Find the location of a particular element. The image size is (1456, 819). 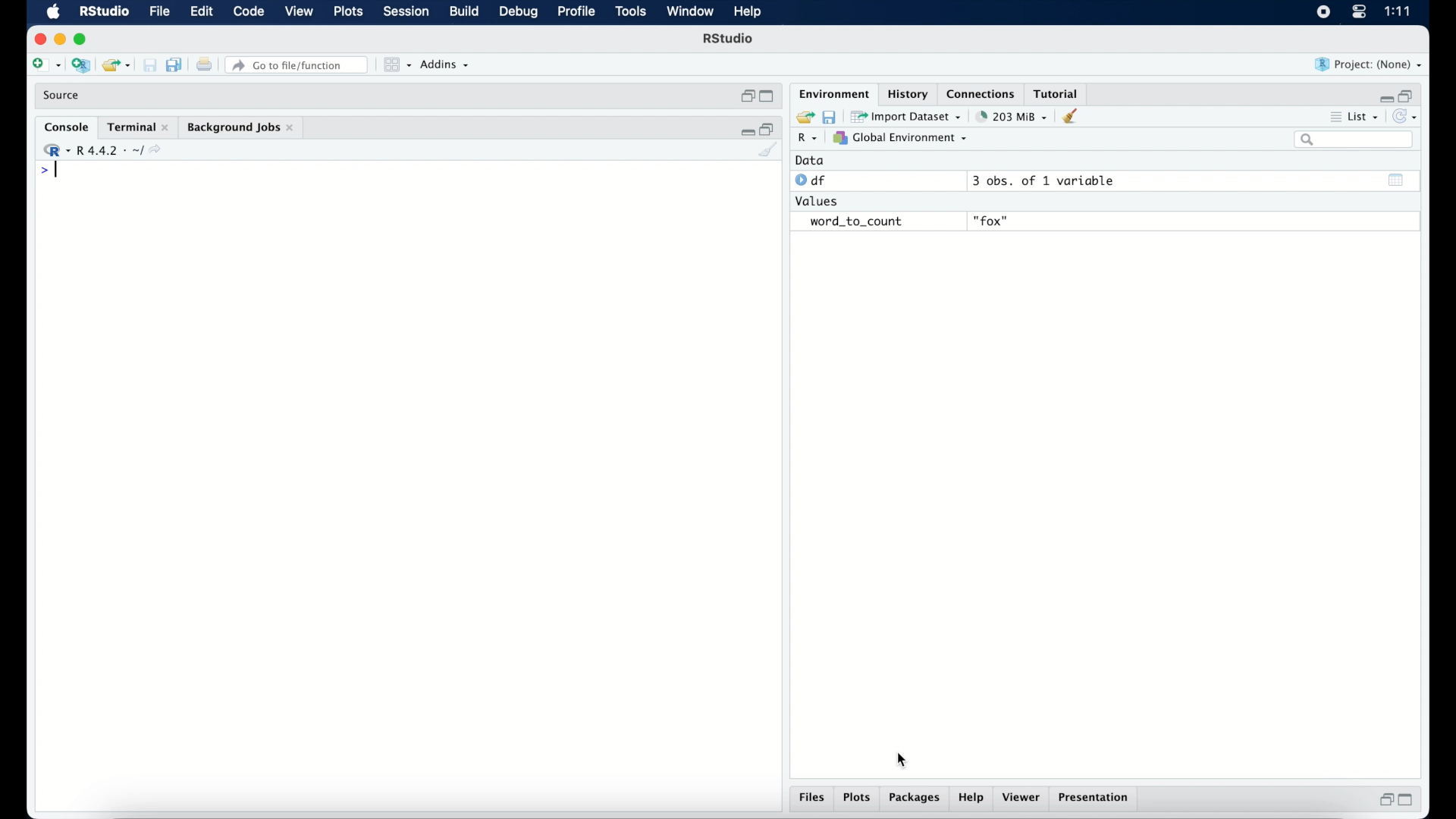

code is located at coordinates (249, 12).